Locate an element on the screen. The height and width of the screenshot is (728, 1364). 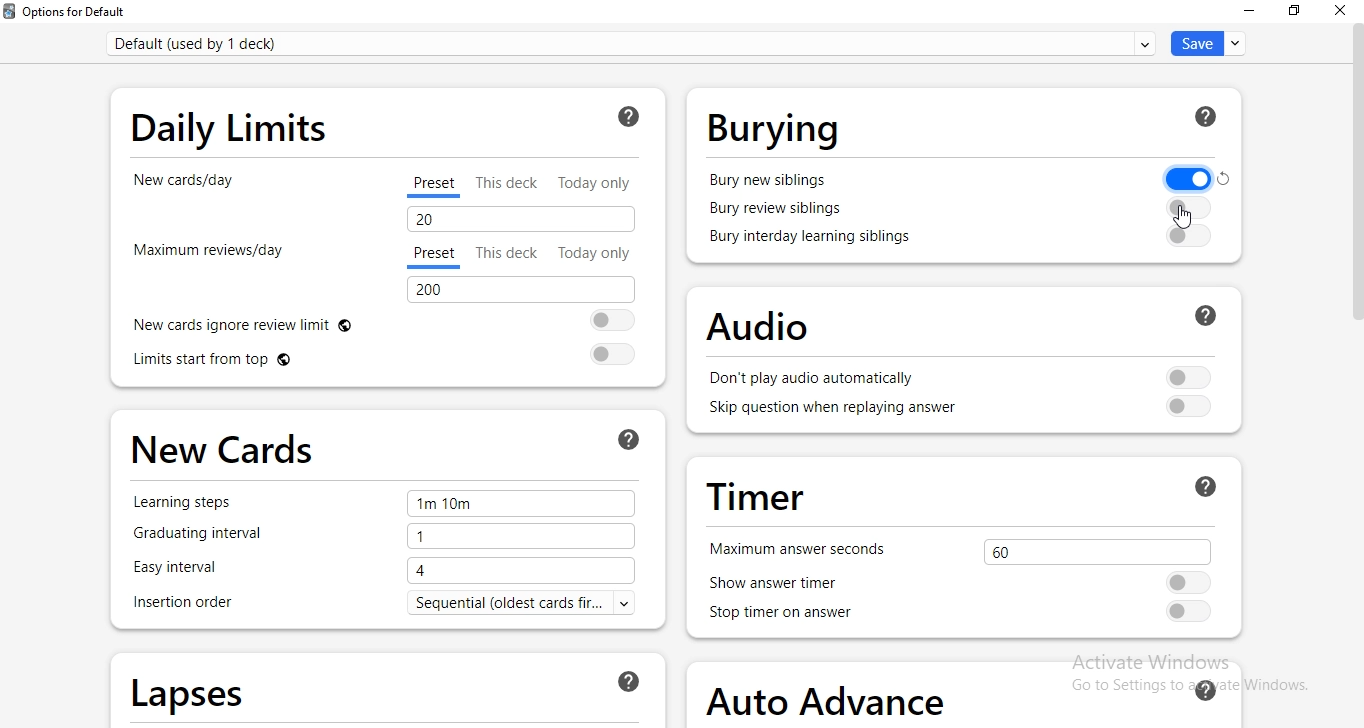
4 is located at coordinates (525, 569).